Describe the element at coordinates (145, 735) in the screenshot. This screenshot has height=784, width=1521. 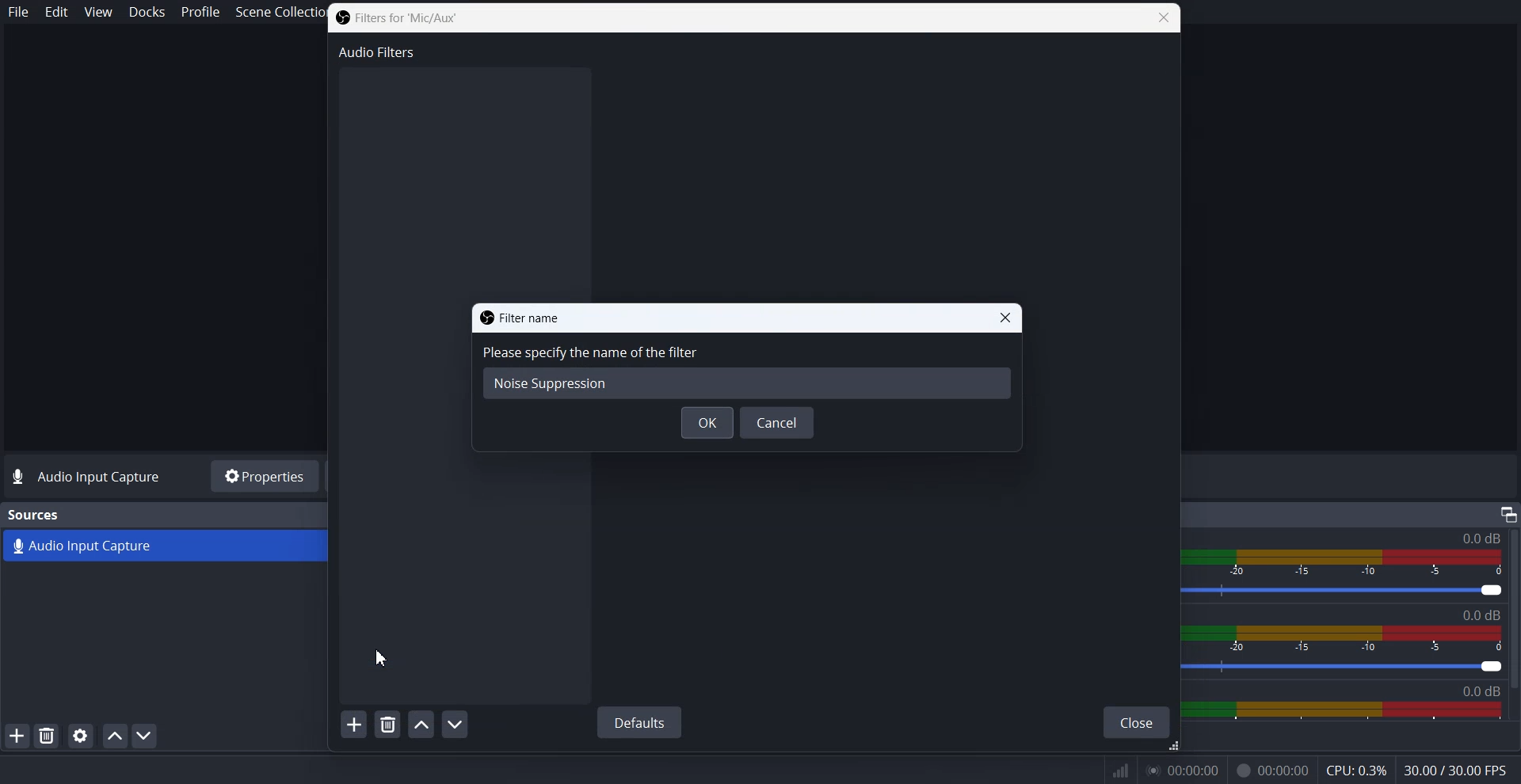
I see `Move Source down` at that location.